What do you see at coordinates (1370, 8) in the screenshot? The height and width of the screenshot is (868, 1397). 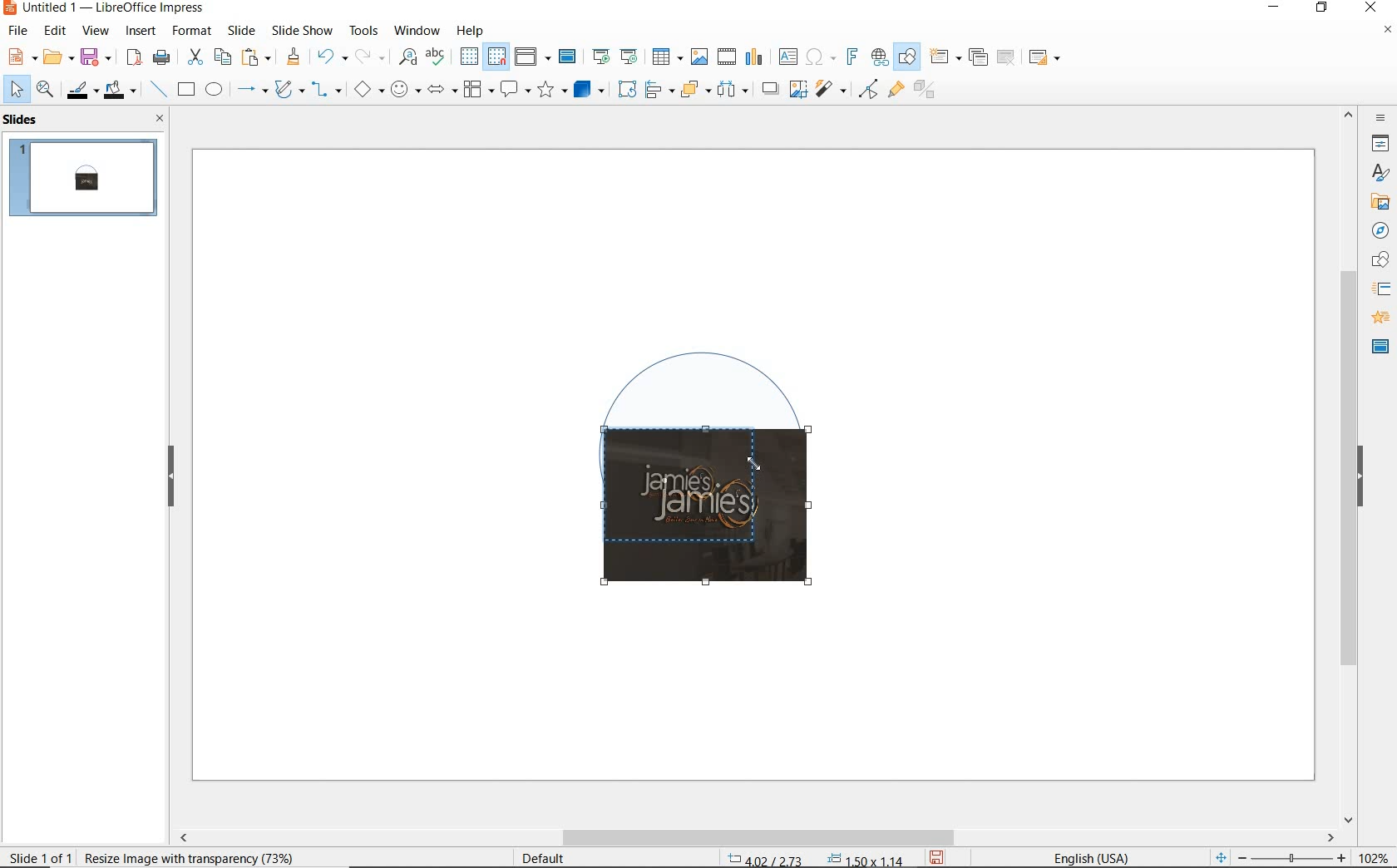 I see `close` at bounding box center [1370, 8].